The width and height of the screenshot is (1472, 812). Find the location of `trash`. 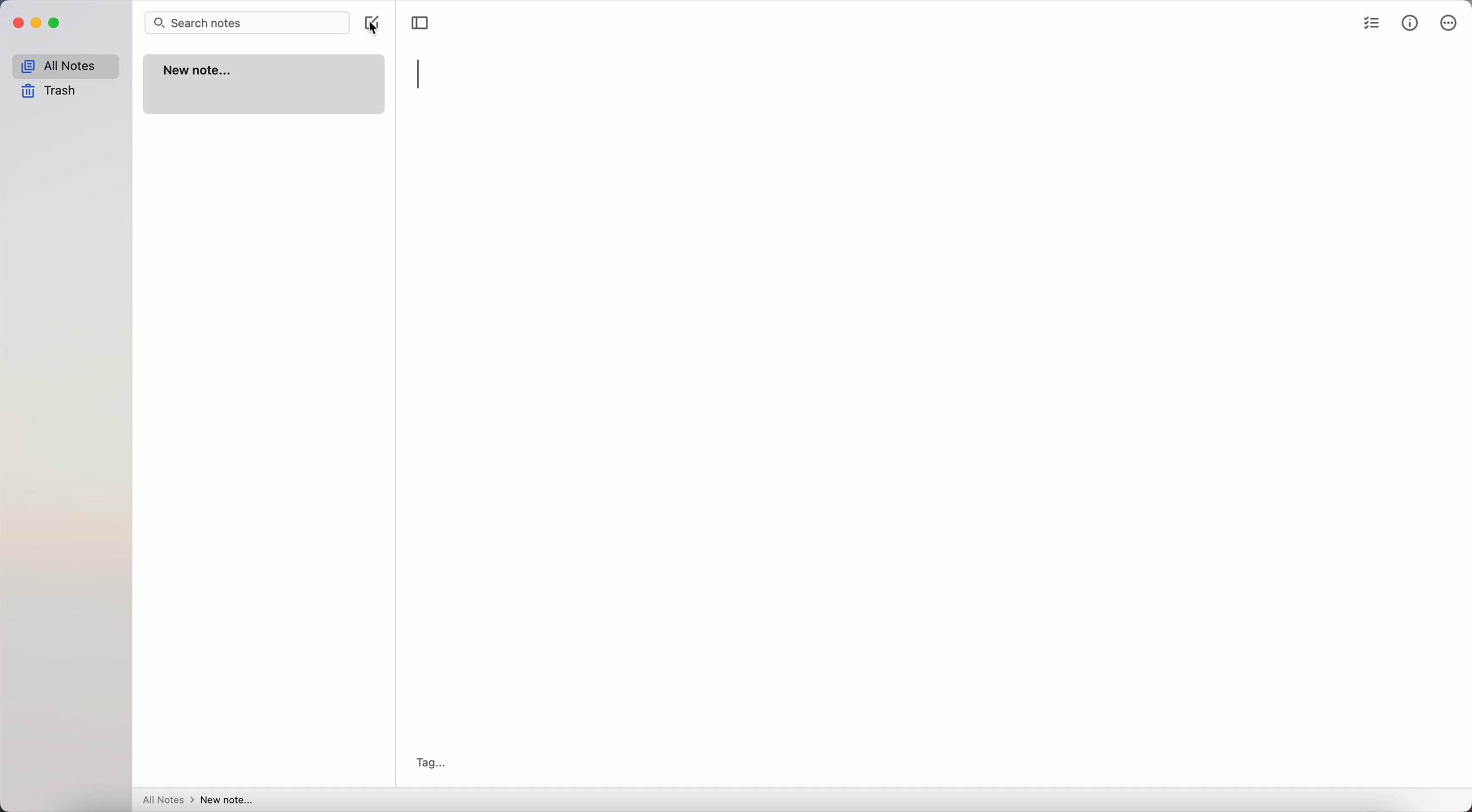

trash is located at coordinates (53, 90).